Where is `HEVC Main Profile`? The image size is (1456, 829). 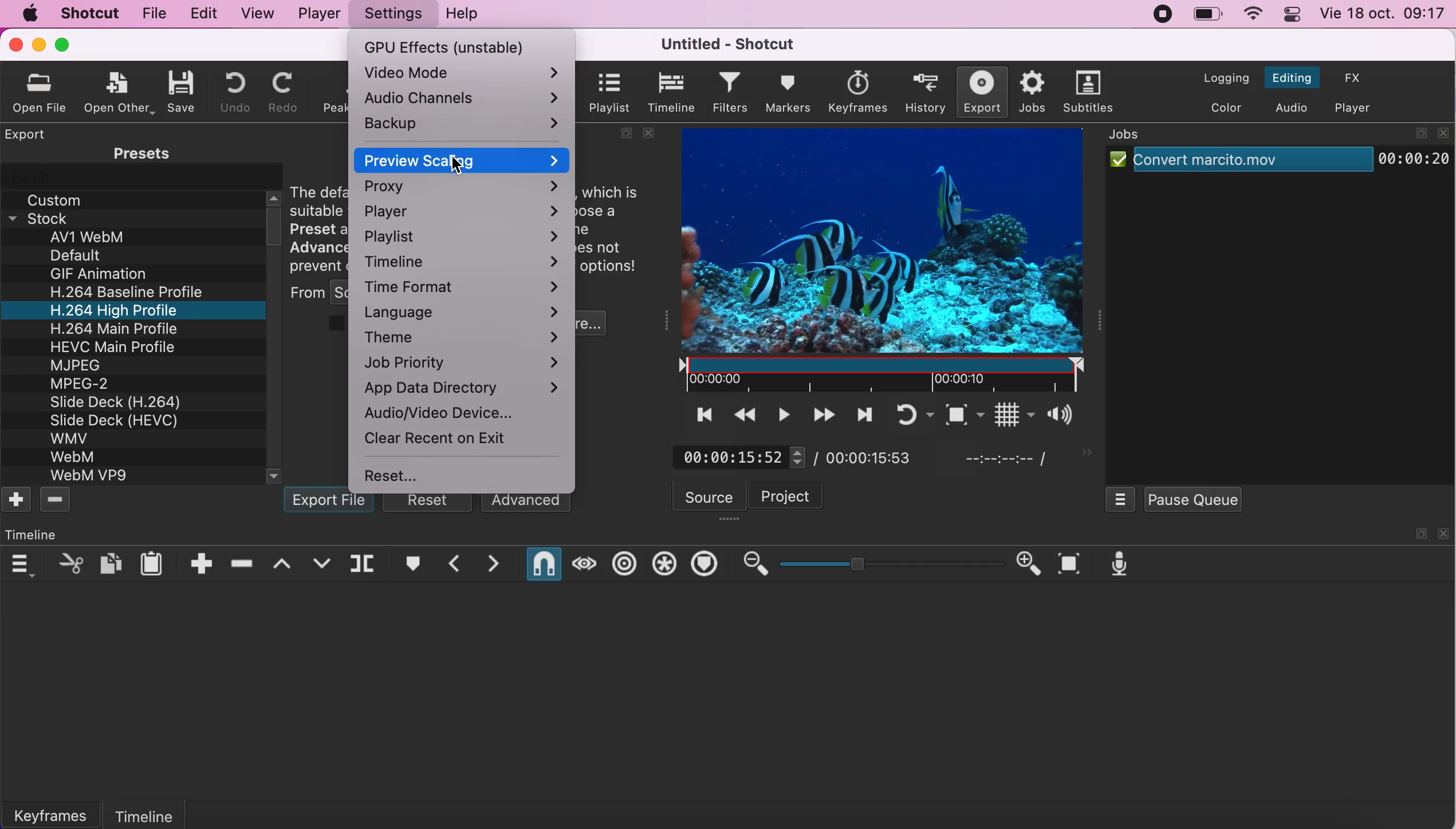
HEVC Main Profile is located at coordinates (114, 345).